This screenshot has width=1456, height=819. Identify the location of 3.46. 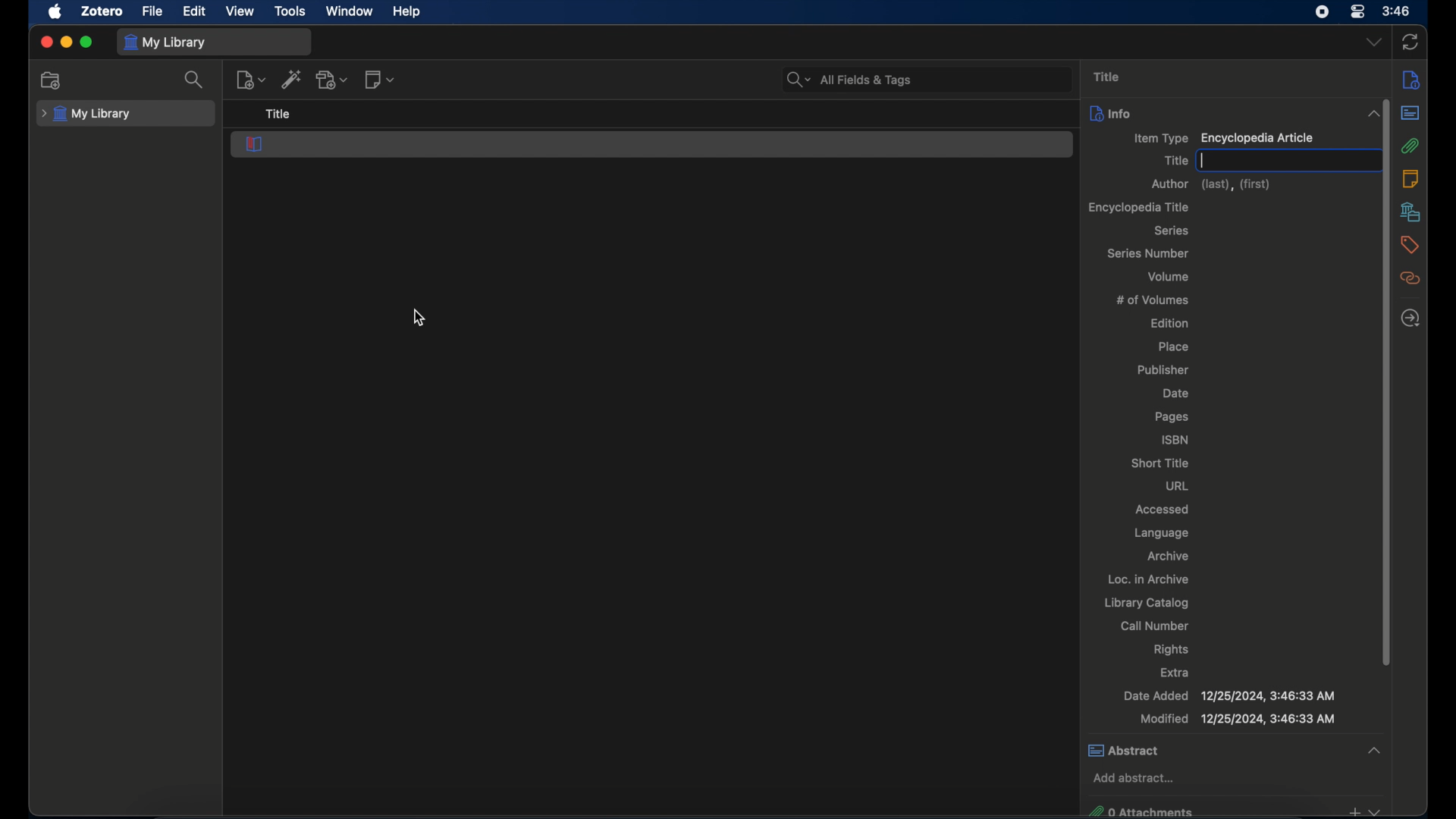
(1397, 11).